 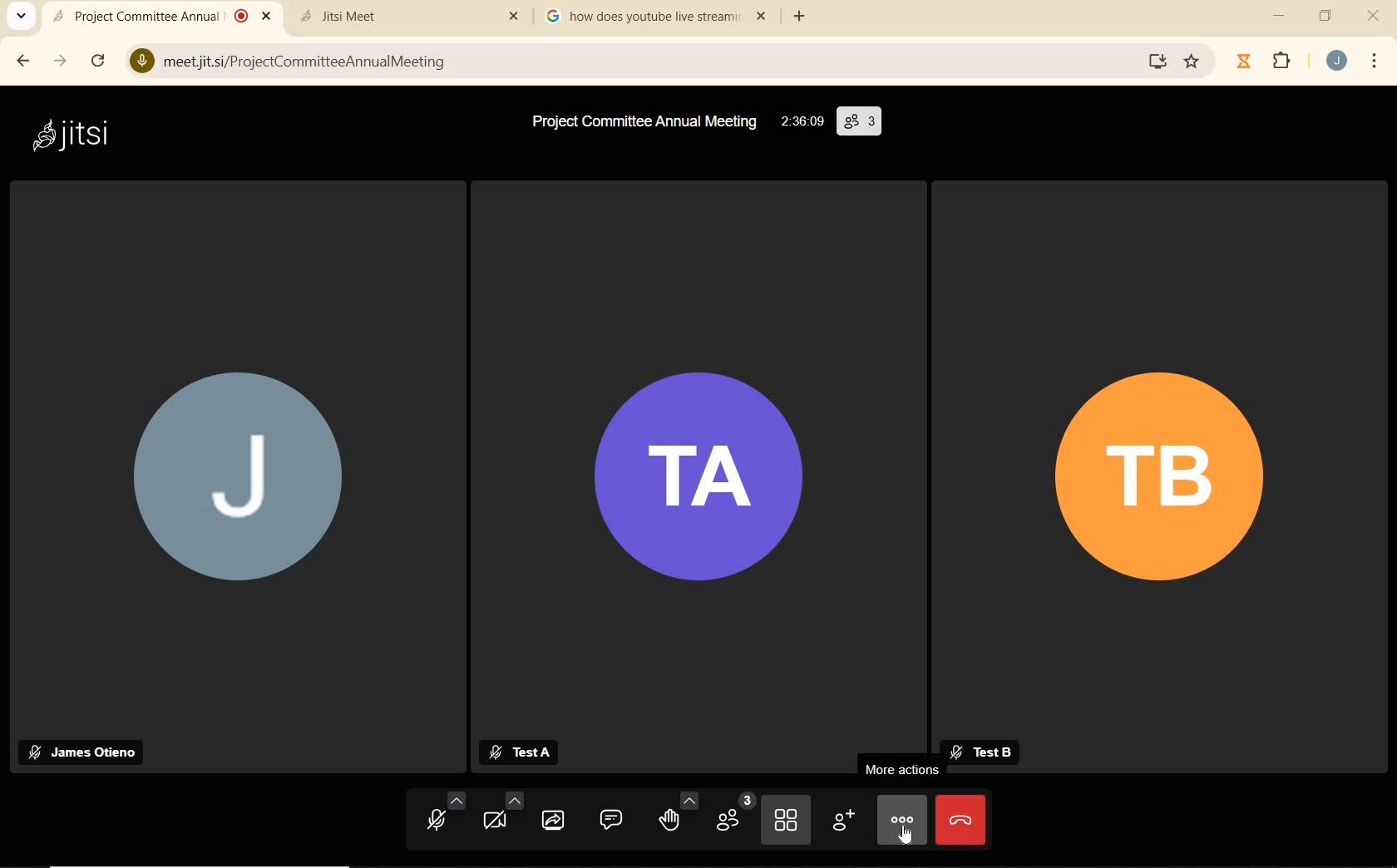 What do you see at coordinates (613, 819) in the screenshot?
I see `OPEN CHAT` at bounding box center [613, 819].